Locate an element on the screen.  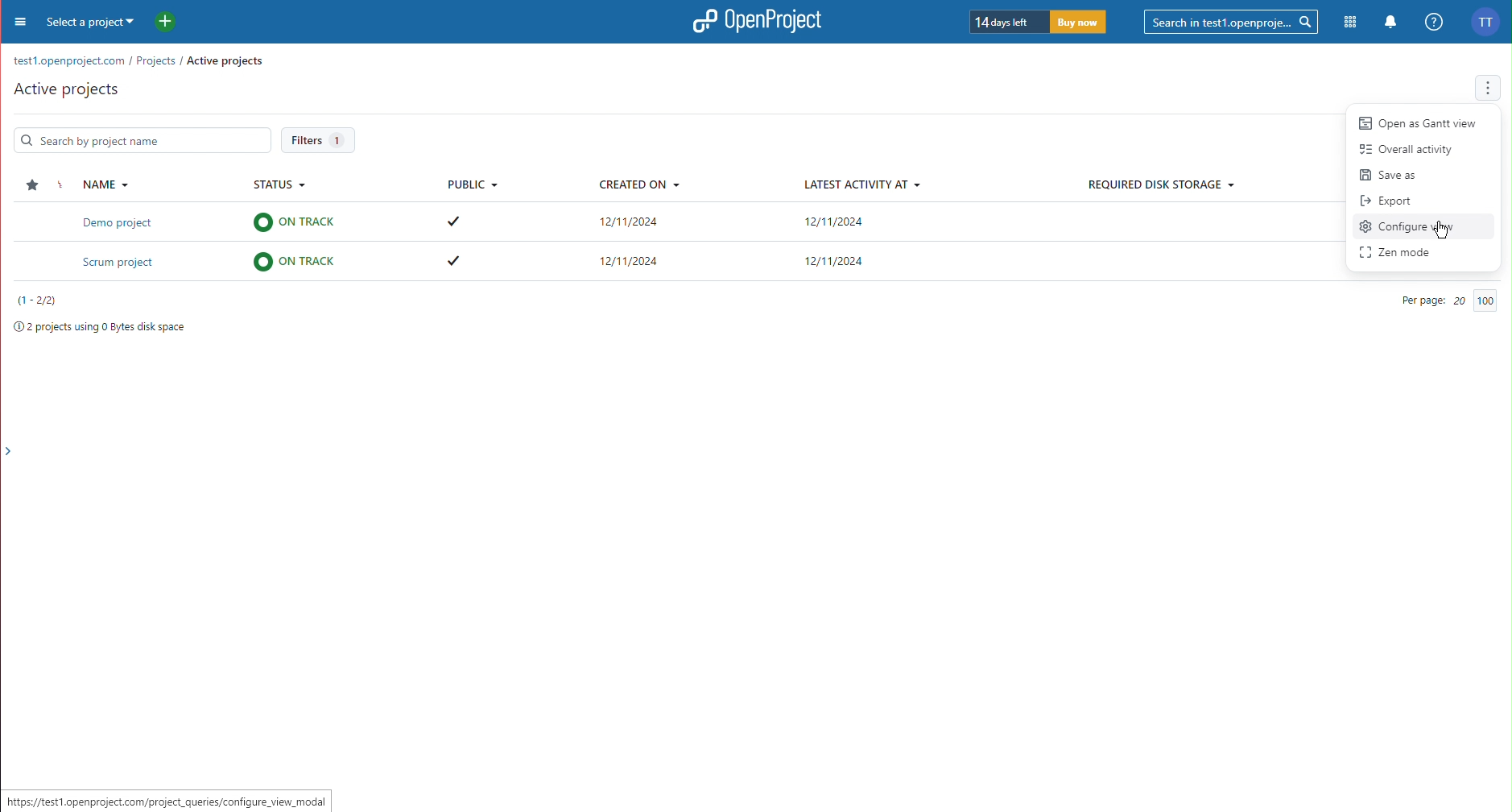
Active Projects is located at coordinates (67, 91).